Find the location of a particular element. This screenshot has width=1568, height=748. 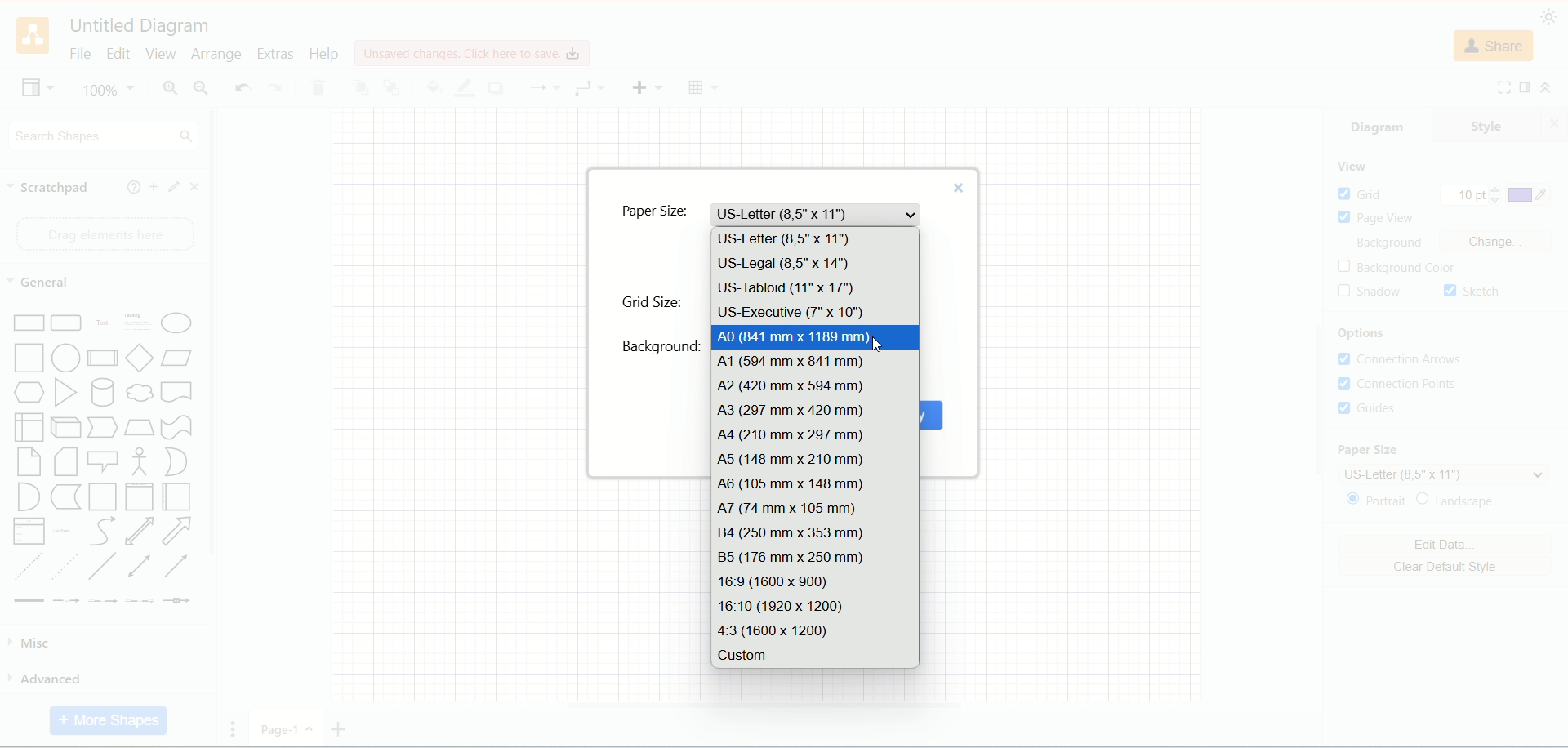

shadow is located at coordinates (494, 87).